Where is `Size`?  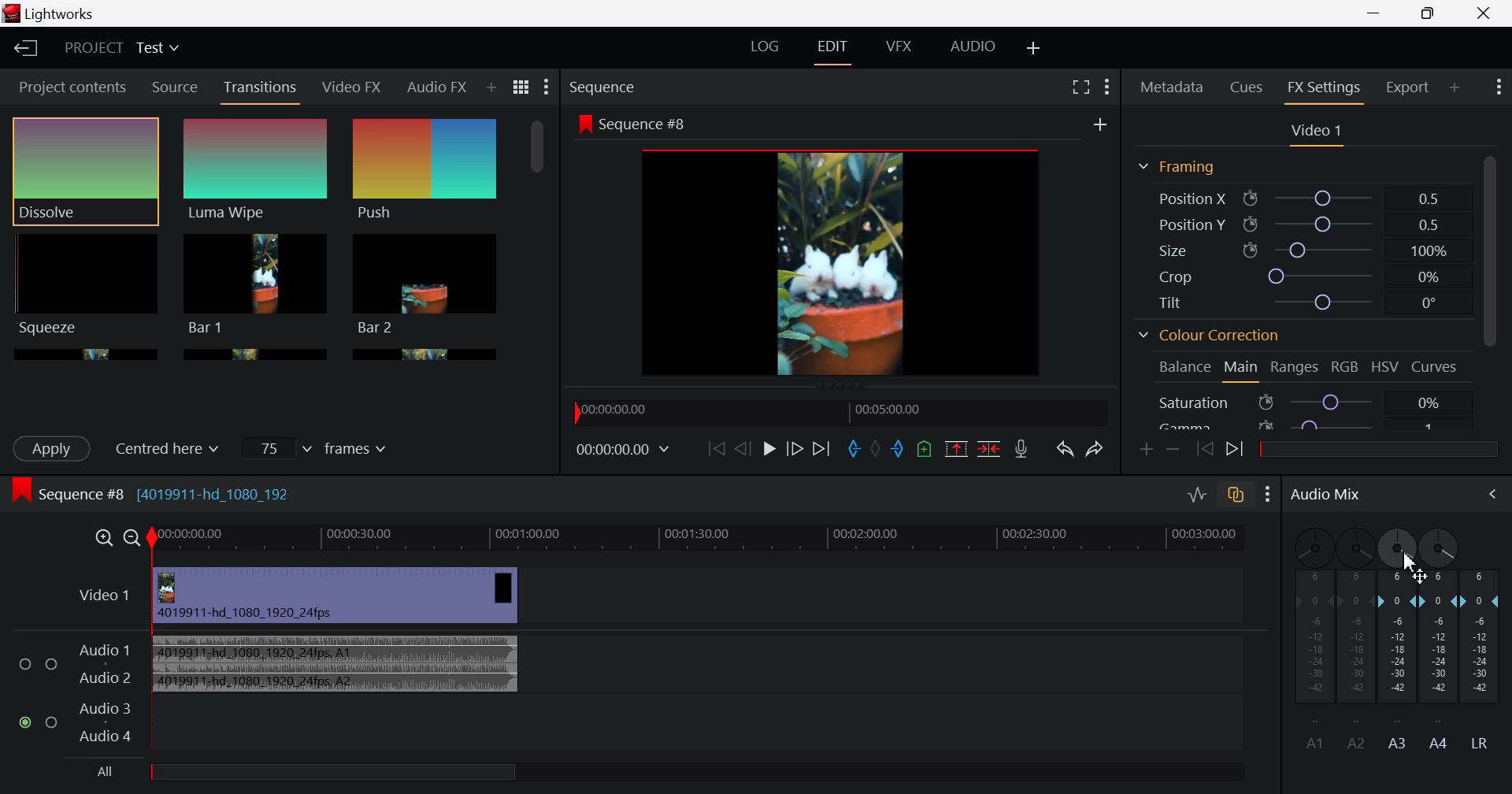
Size is located at coordinates (1300, 247).